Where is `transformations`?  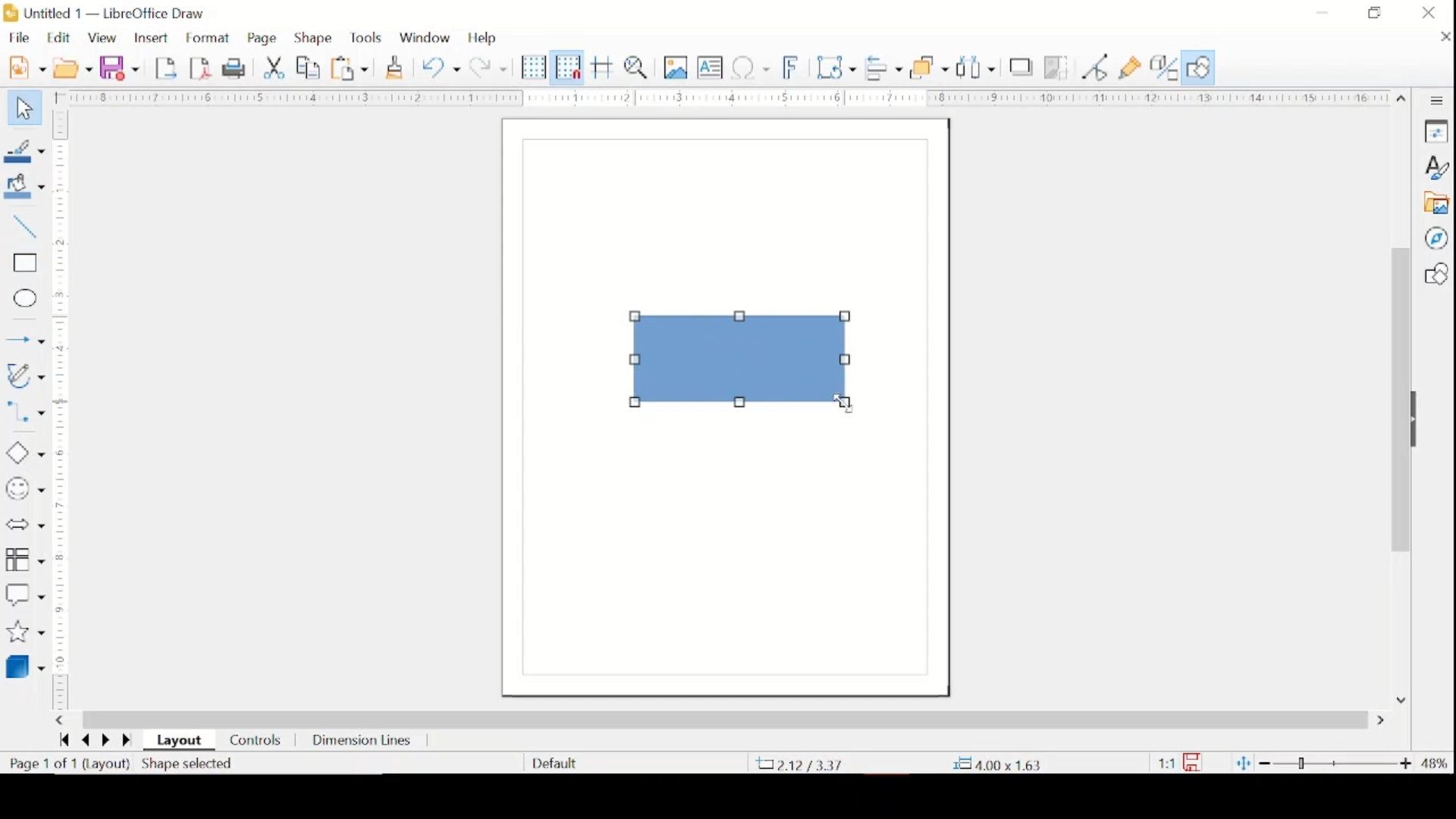
transformations is located at coordinates (838, 67).